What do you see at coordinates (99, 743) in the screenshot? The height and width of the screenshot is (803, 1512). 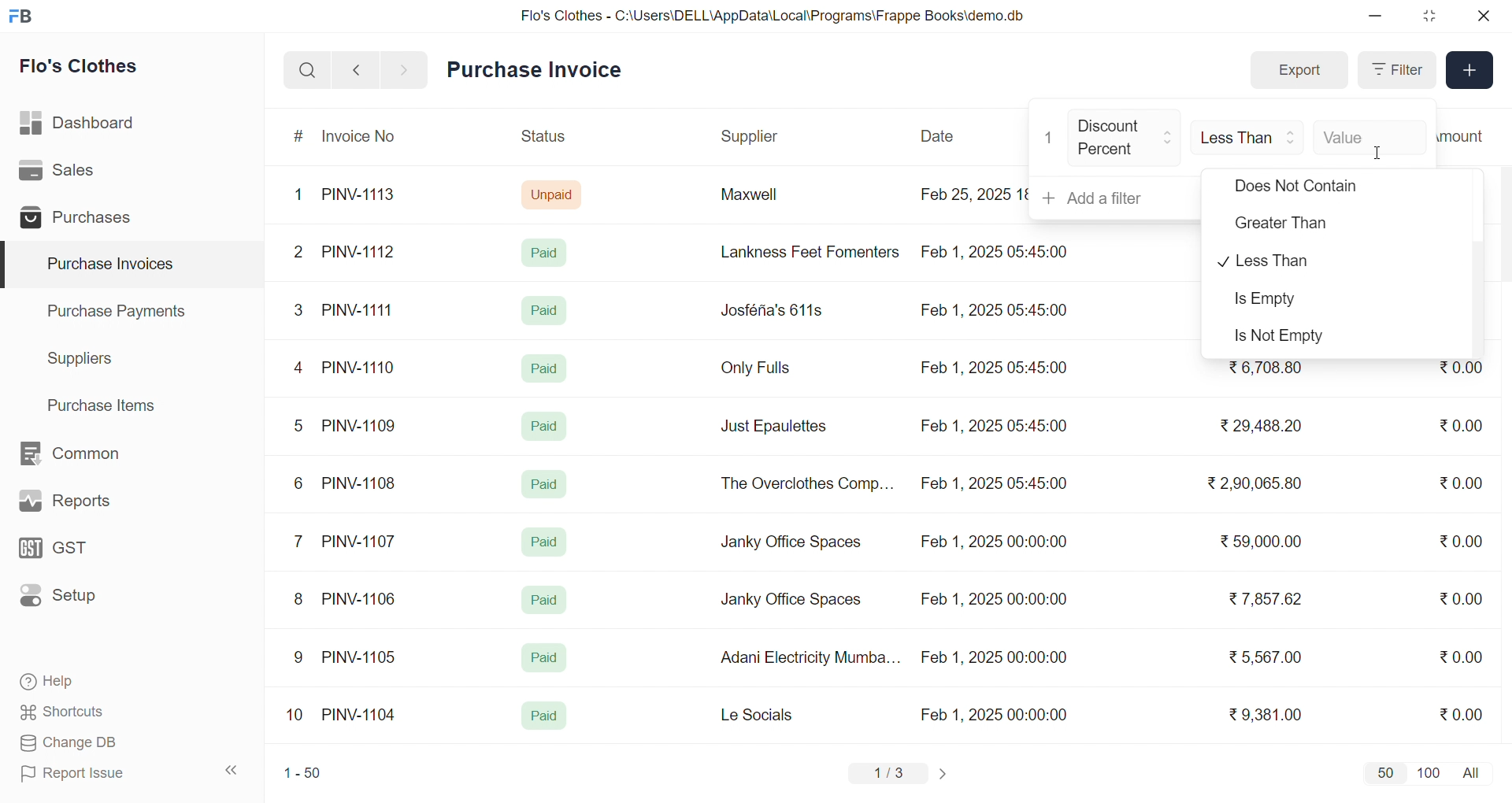 I see `Change DB` at bounding box center [99, 743].